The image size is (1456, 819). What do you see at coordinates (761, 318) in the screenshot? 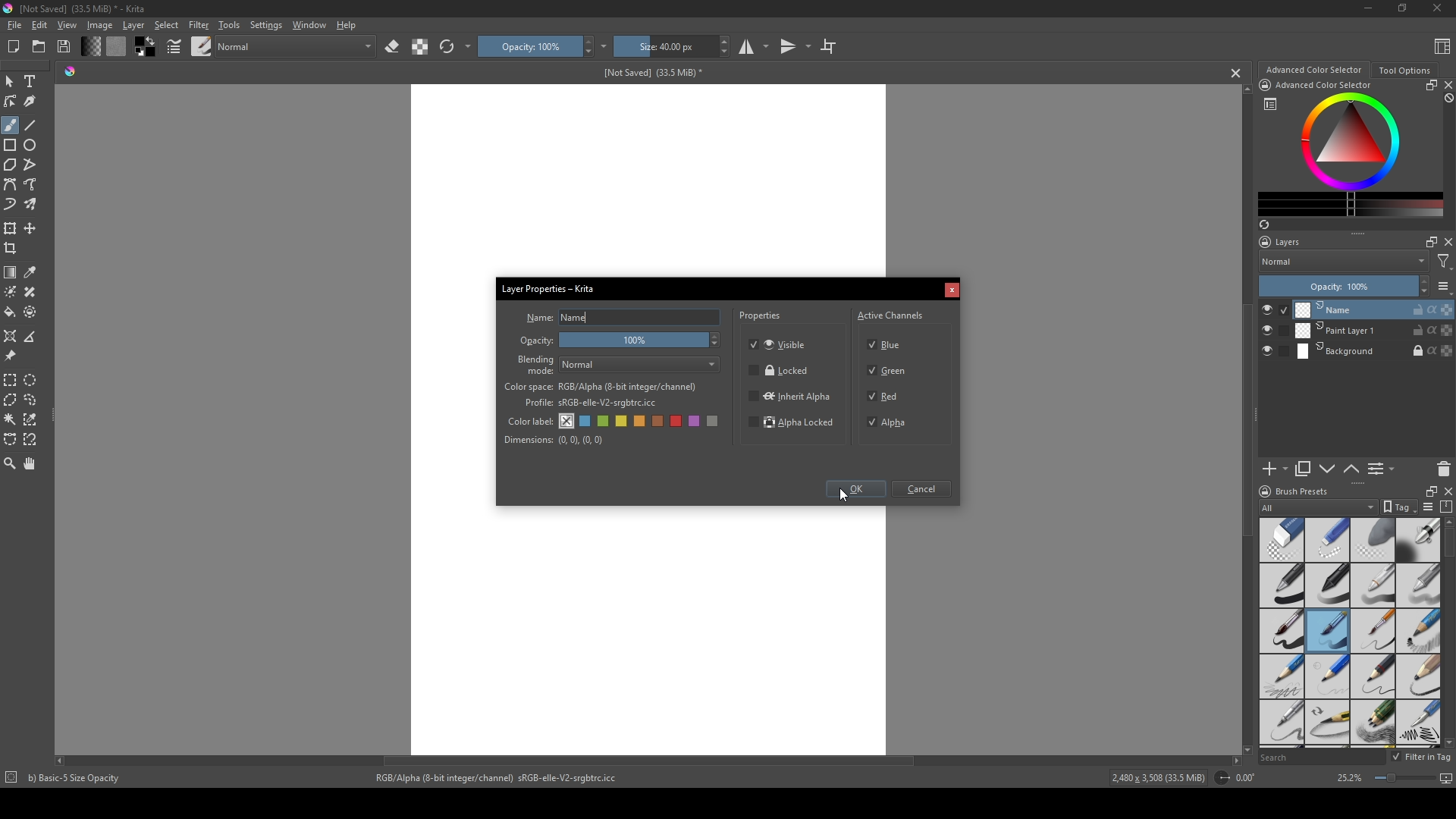
I see `properties` at bounding box center [761, 318].